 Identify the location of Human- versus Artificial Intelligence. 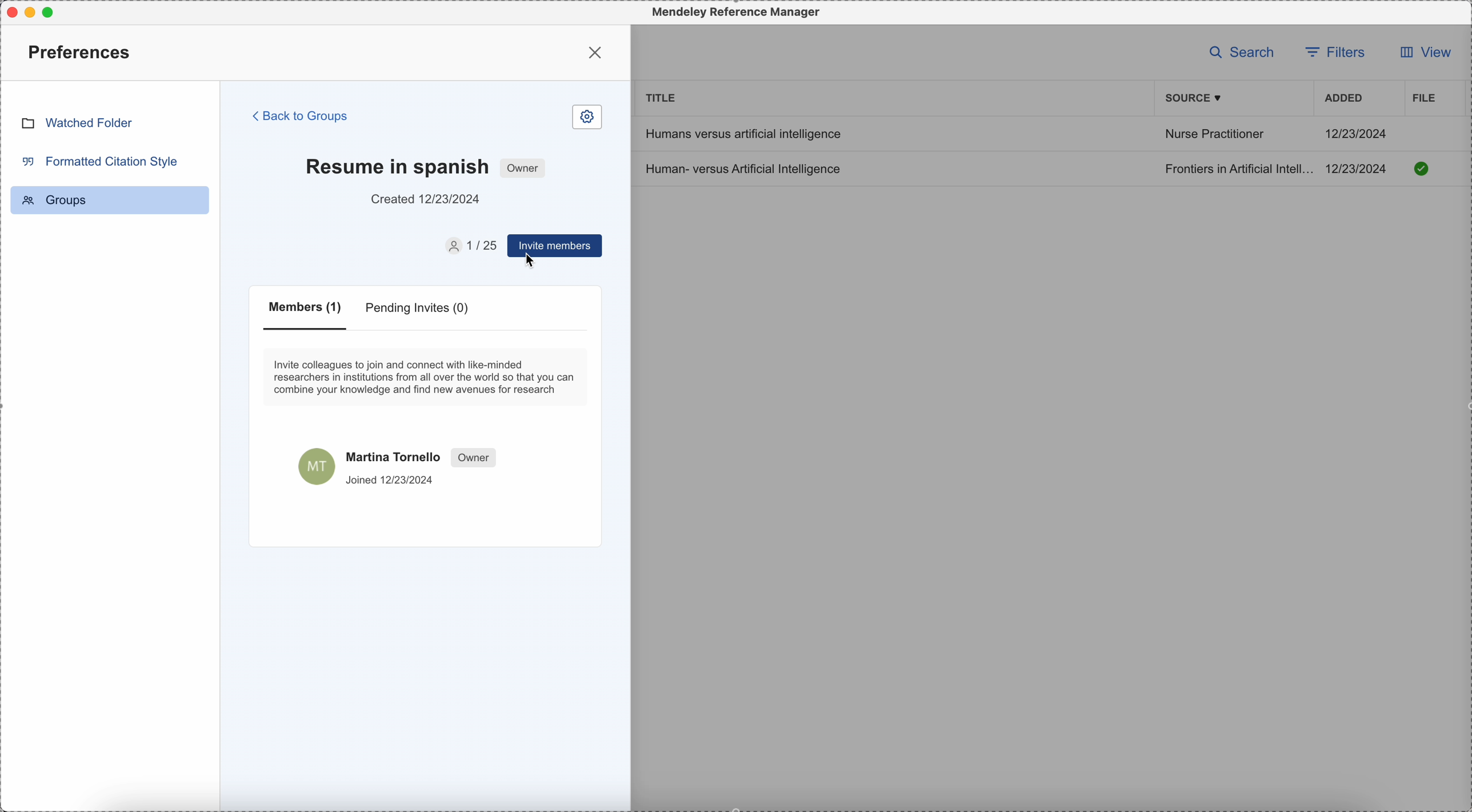
(746, 168).